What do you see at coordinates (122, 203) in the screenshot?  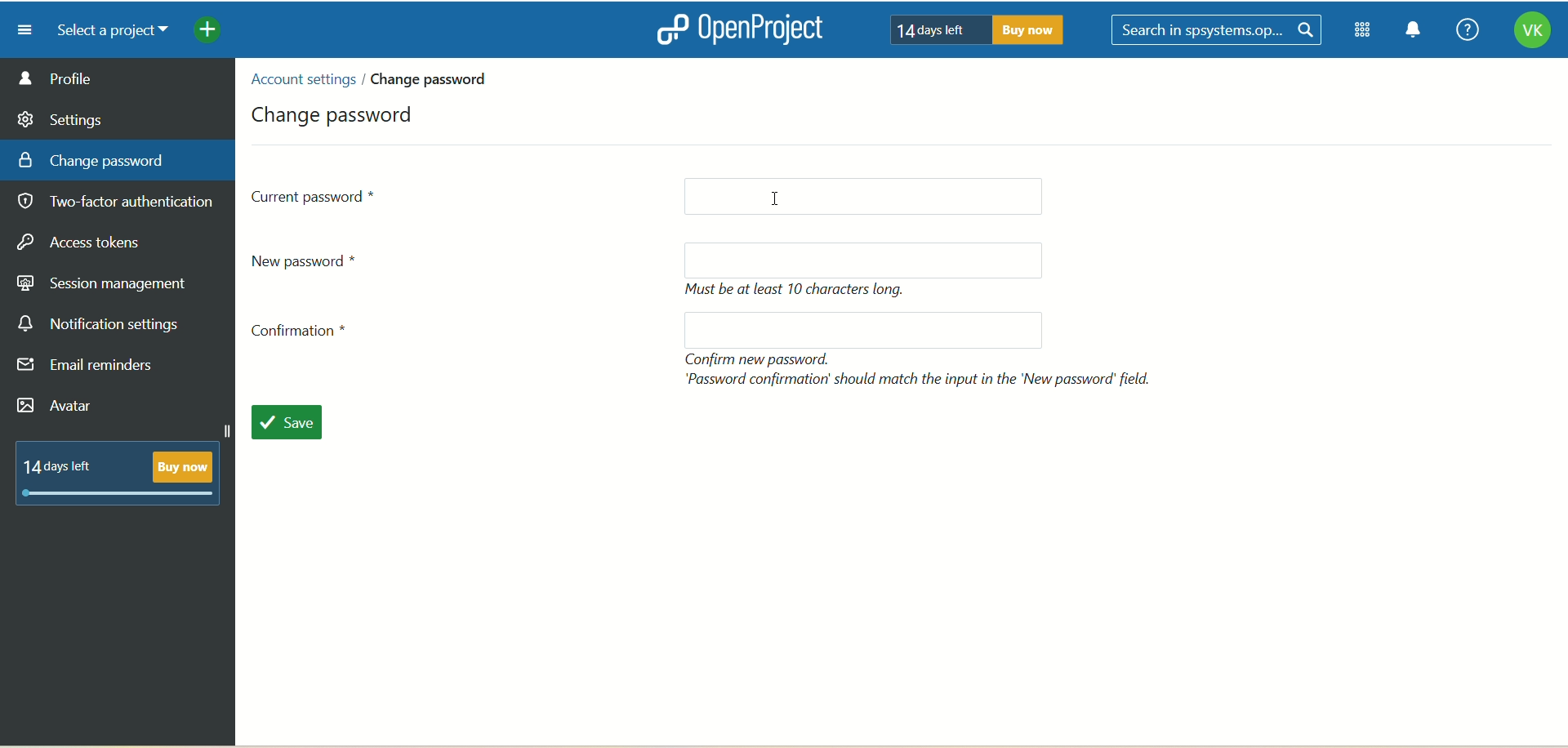 I see `two factor authentication` at bounding box center [122, 203].